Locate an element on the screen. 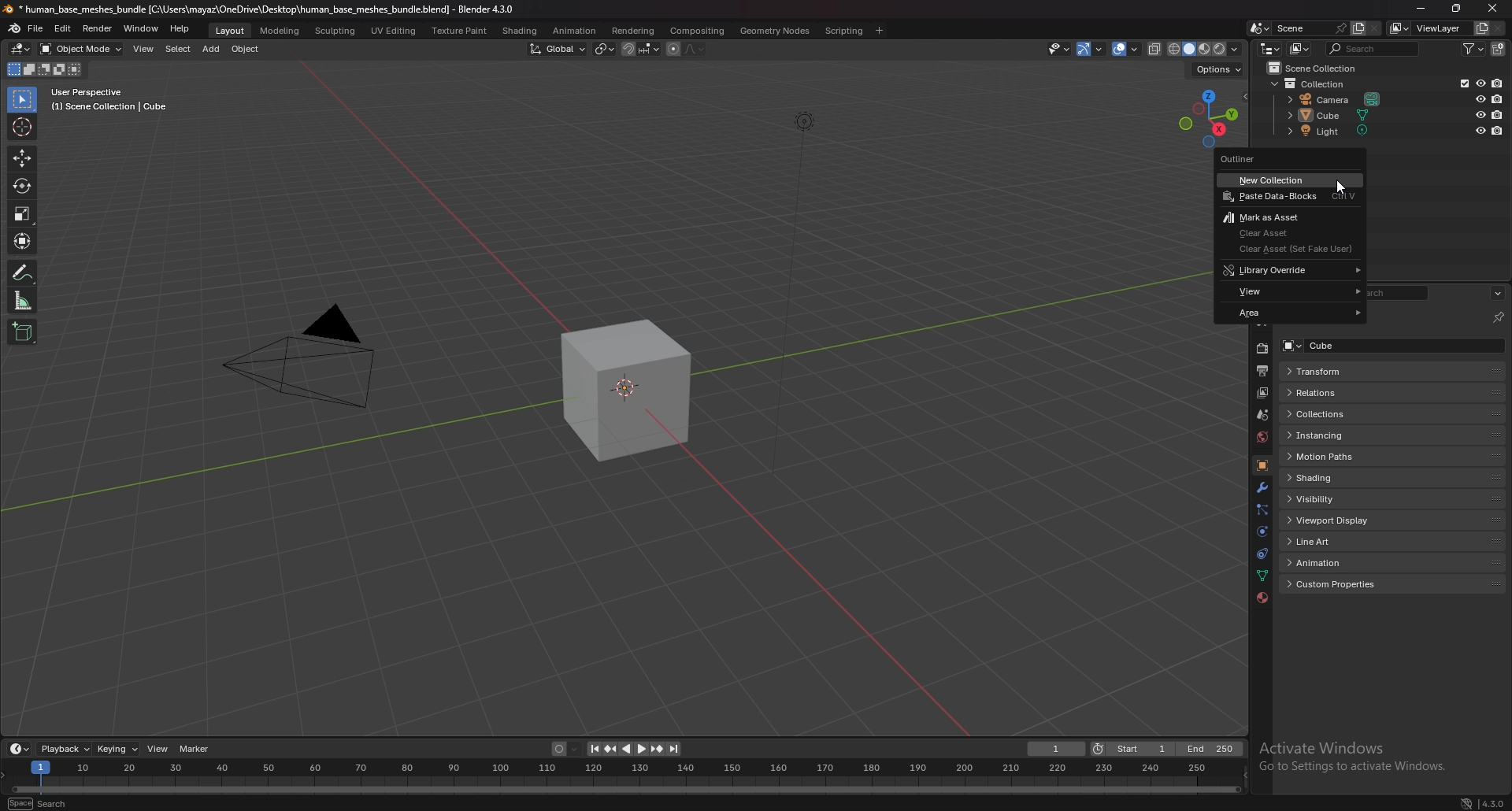 The height and width of the screenshot is (811, 1512). snapping is located at coordinates (641, 49).